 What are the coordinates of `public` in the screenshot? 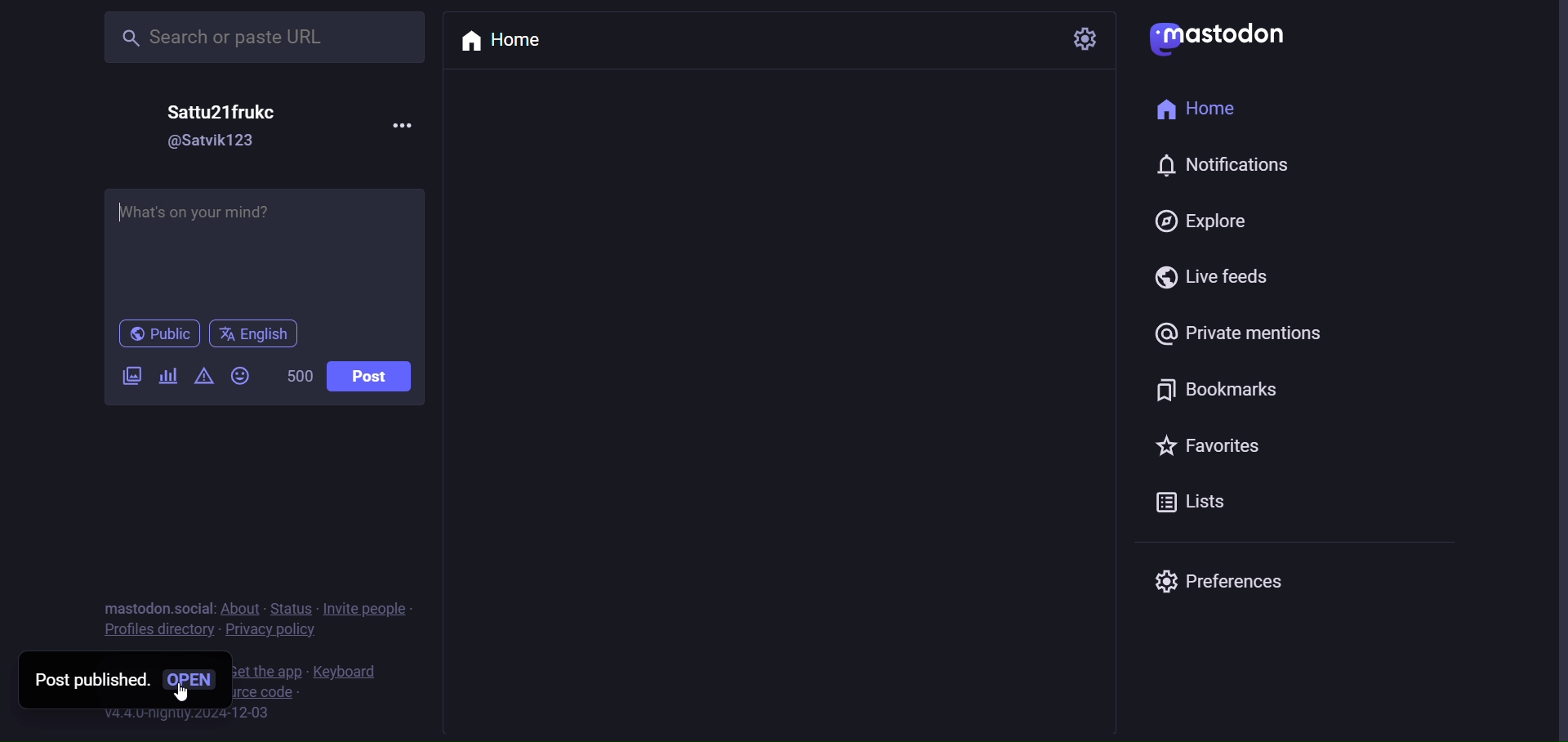 It's located at (152, 333).